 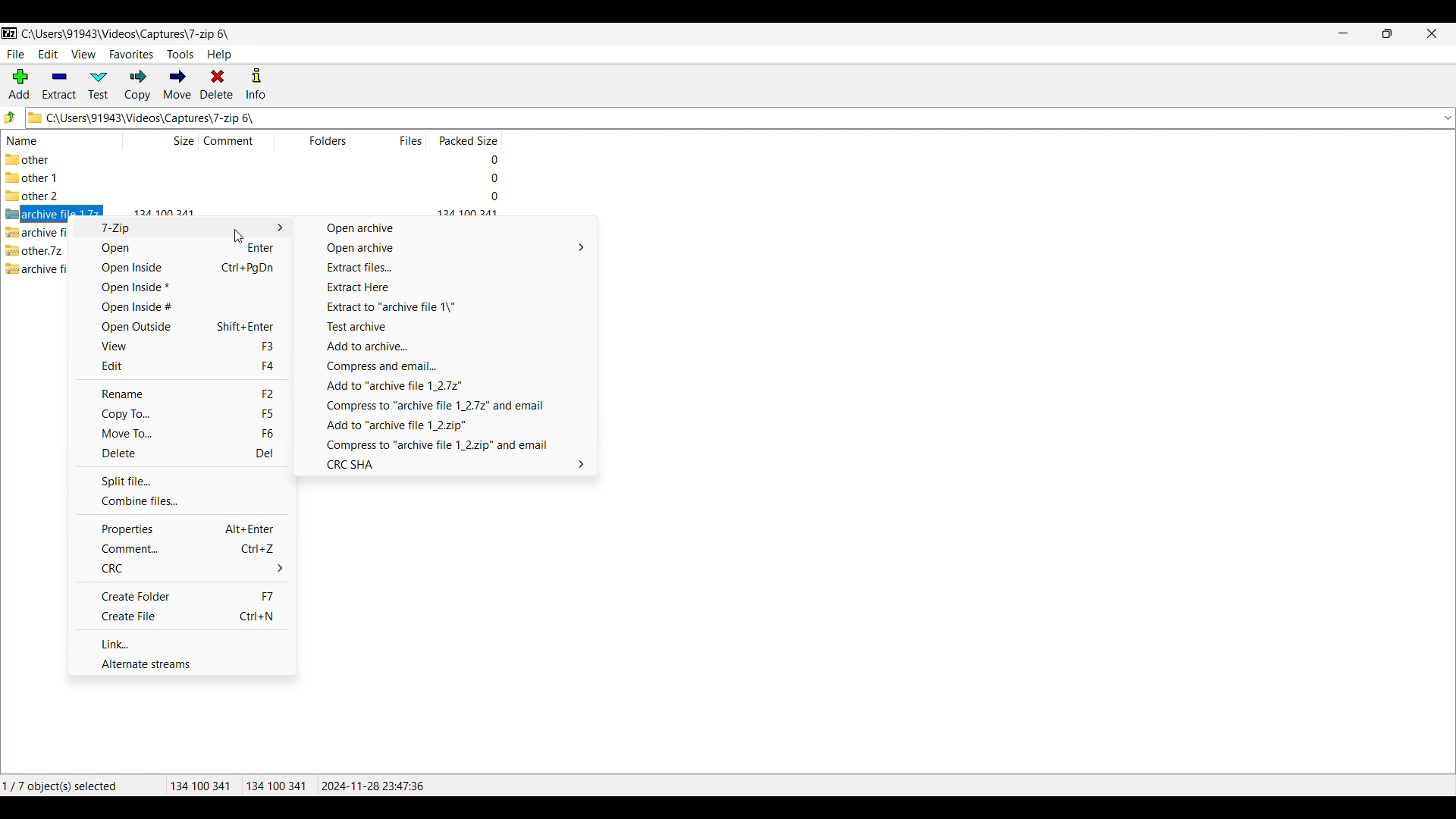 I want to click on Open archive, so click(x=447, y=248).